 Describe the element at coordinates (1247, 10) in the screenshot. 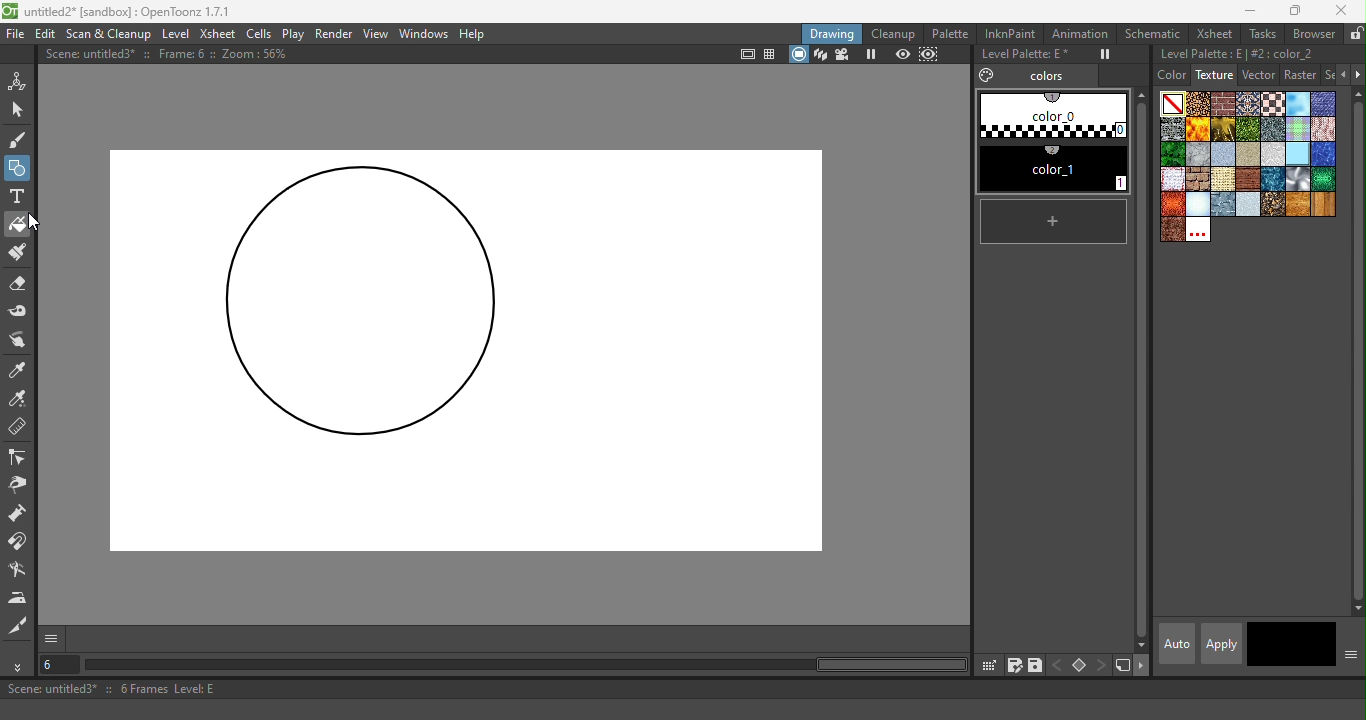

I see `Minimize ` at that location.